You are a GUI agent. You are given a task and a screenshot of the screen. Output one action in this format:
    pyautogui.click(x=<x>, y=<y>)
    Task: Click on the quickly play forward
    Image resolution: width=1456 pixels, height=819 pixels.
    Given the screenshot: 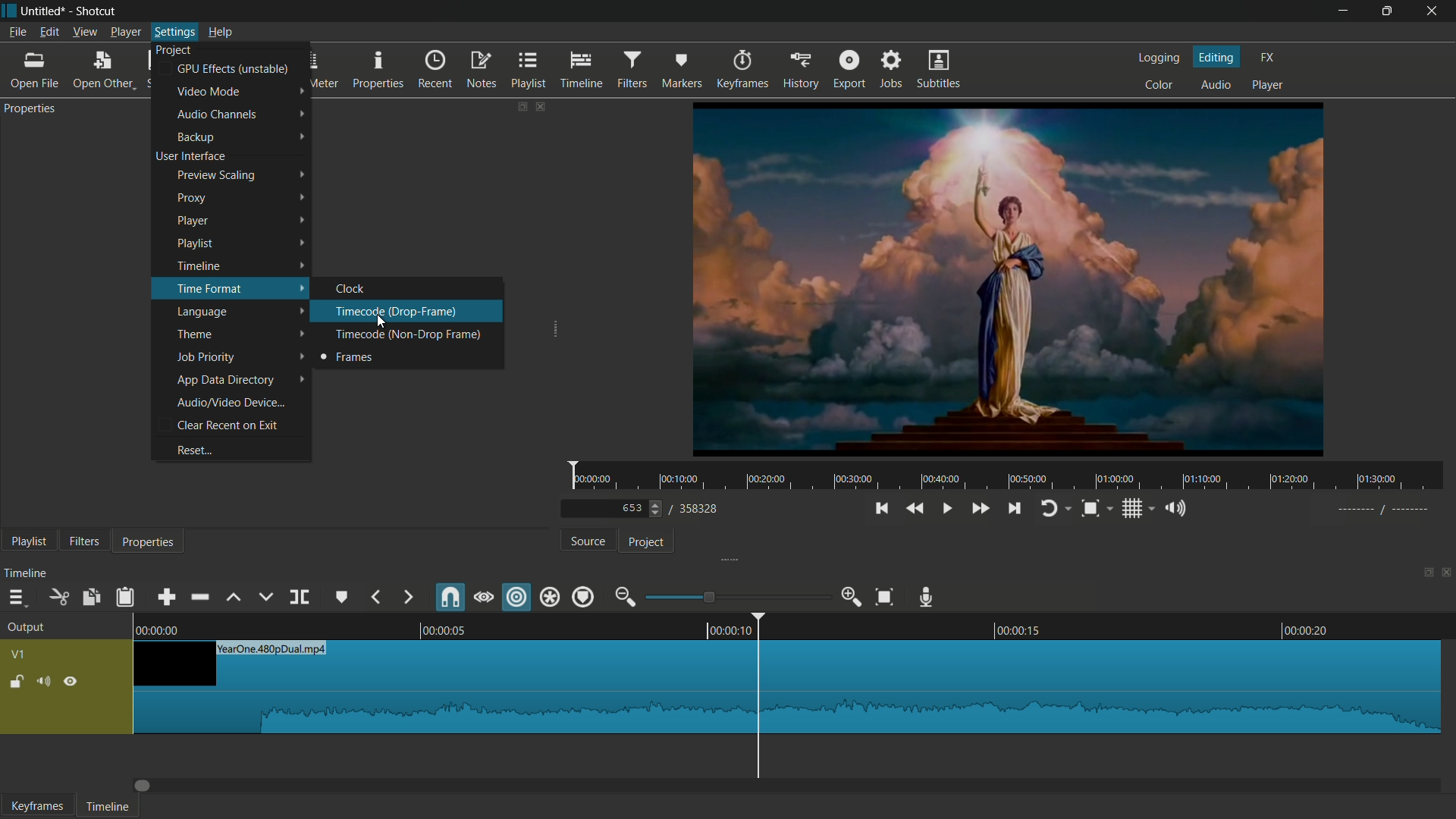 What is the action you would take?
    pyautogui.click(x=981, y=509)
    